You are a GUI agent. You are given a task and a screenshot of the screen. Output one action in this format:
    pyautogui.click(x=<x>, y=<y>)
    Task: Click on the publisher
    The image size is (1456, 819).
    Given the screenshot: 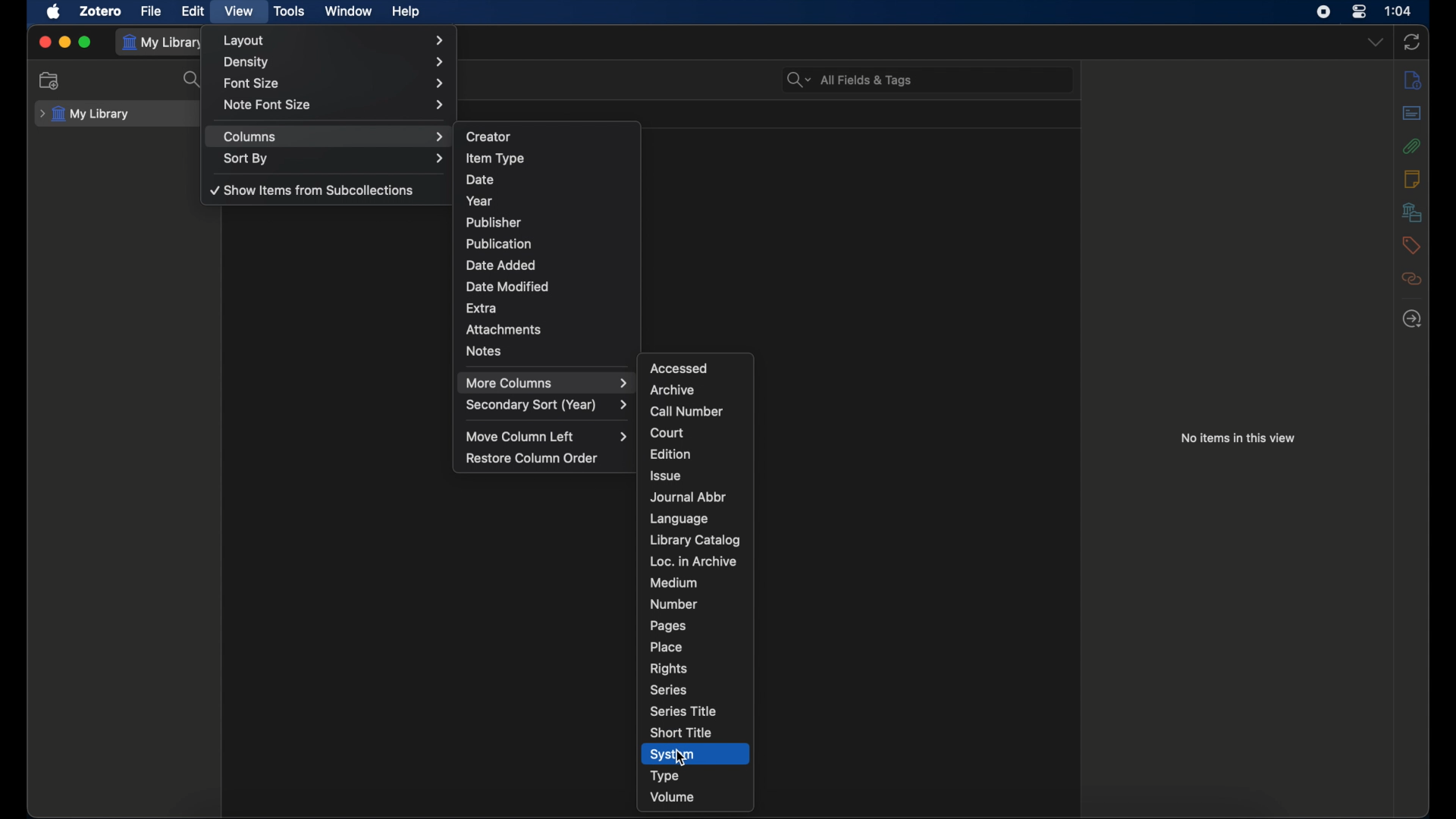 What is the action you would take?
    pyautogui.click(x=493, y=222)
    